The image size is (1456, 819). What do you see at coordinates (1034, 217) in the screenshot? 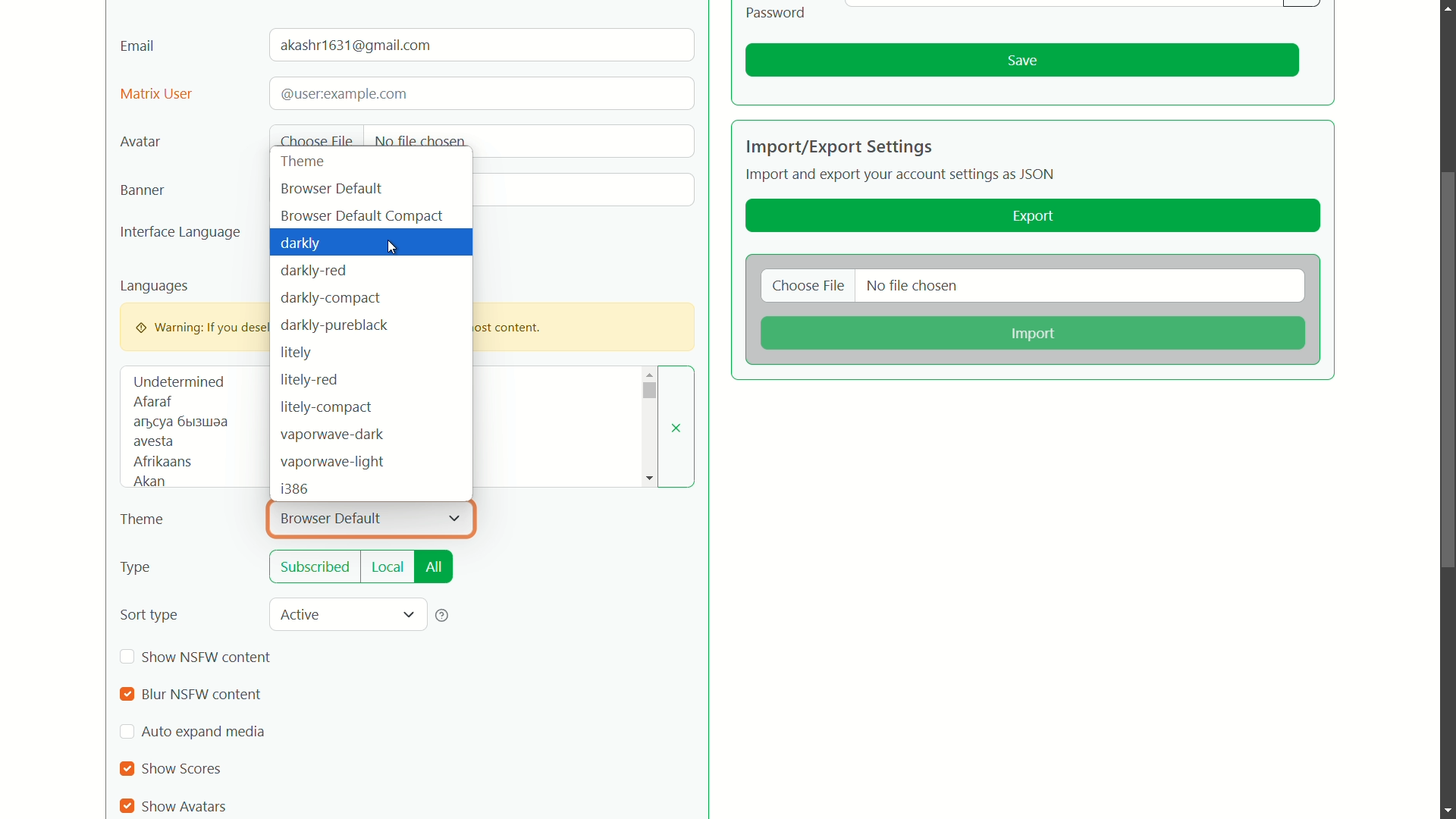
I see `export` at bounding box center [1034, 217].